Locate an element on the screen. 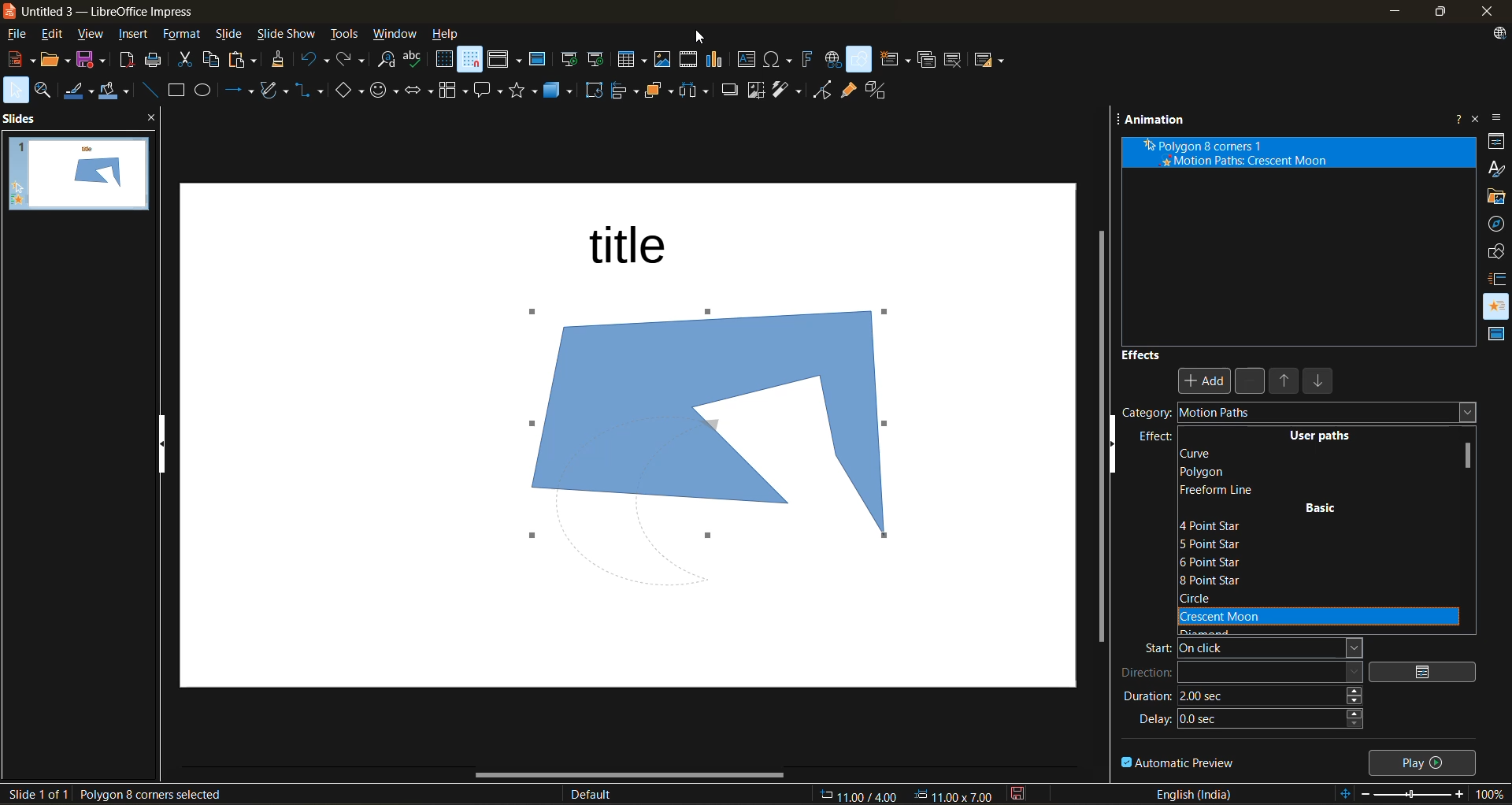 The image size is (1512, 805). insert textbox is located at coordinates (744, 61).